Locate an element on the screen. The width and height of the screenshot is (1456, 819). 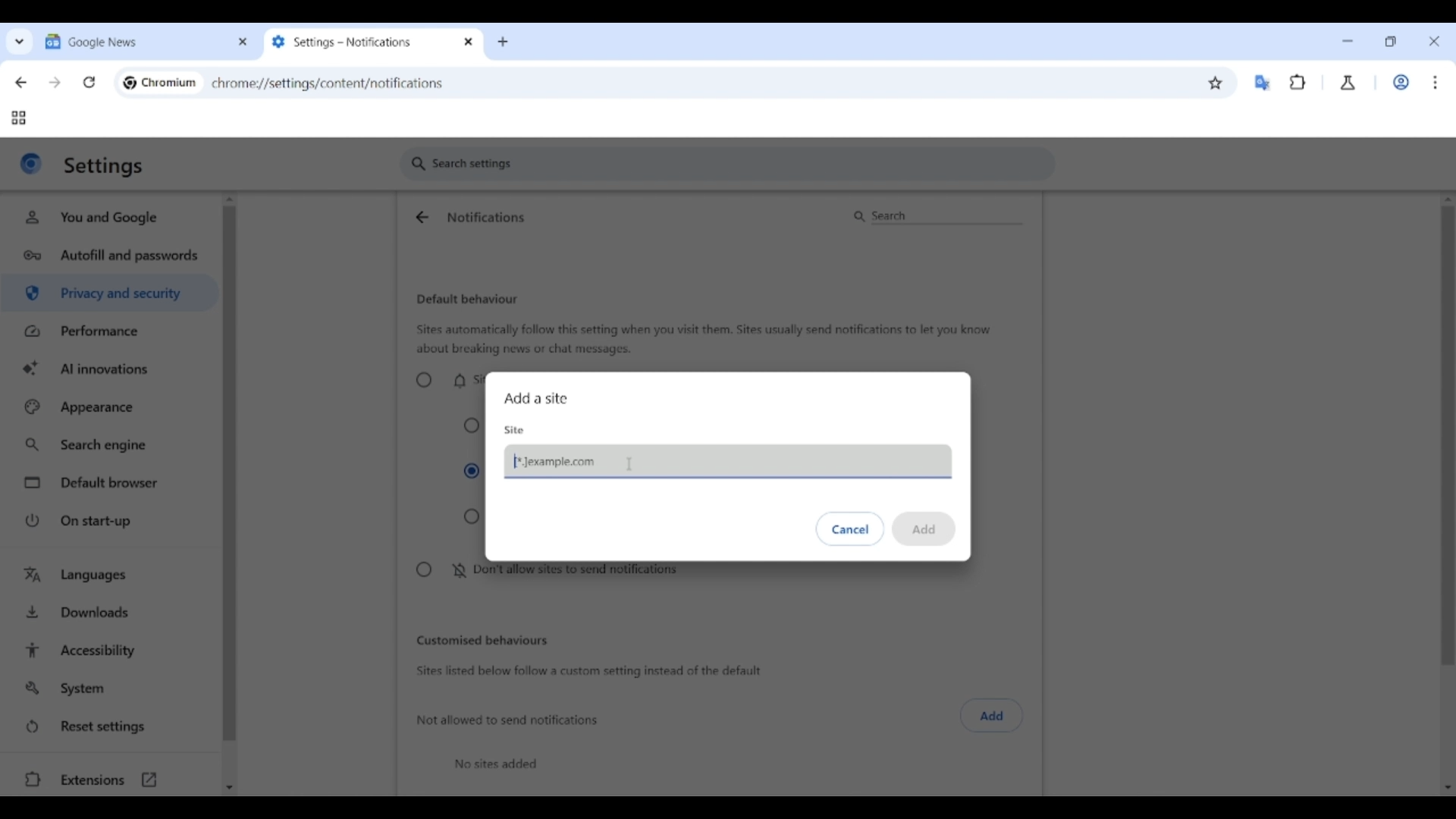
Chrome labs is located at coordinates (1348, 83).